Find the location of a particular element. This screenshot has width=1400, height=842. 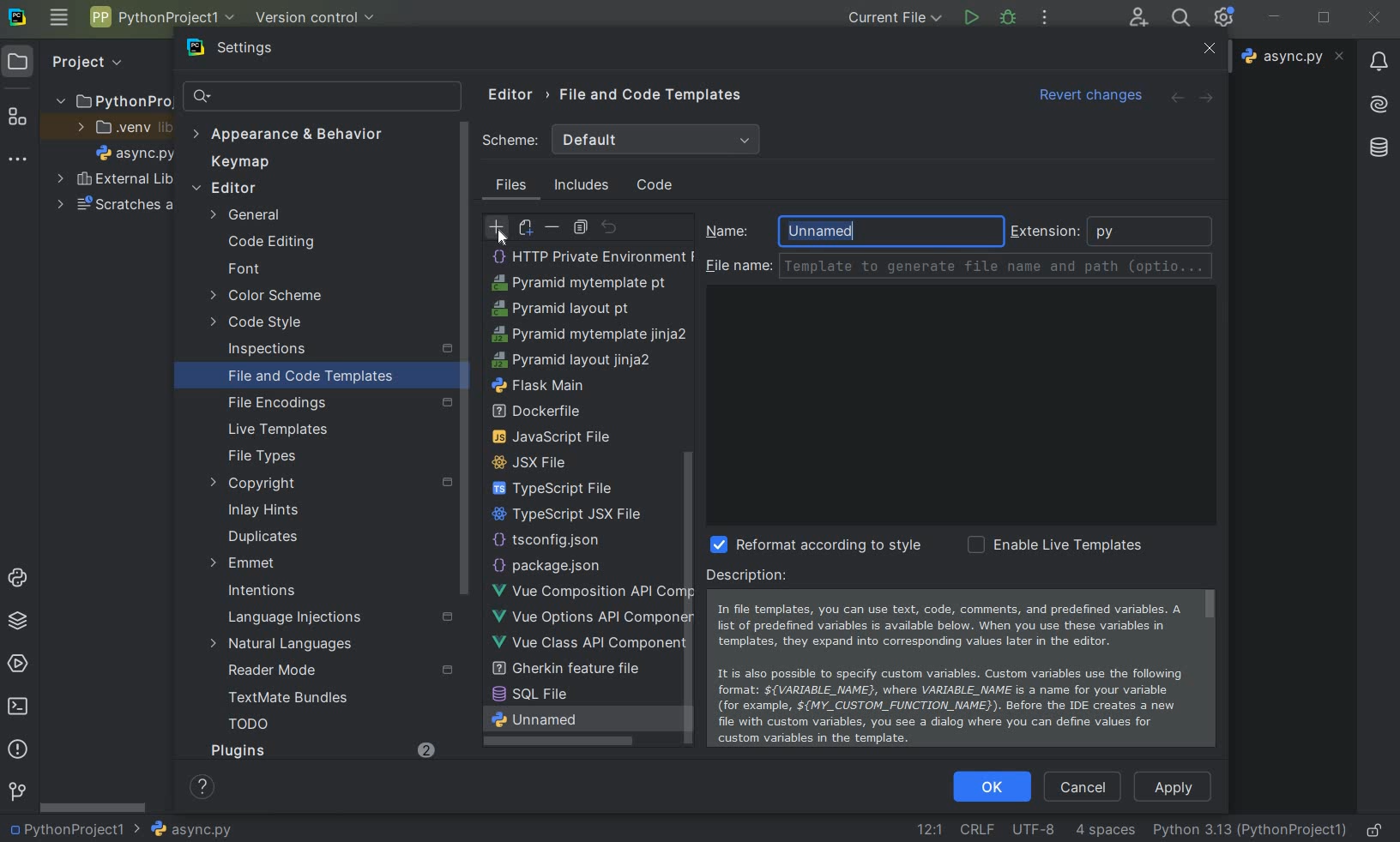

back is located at coordinates (1177, 98).